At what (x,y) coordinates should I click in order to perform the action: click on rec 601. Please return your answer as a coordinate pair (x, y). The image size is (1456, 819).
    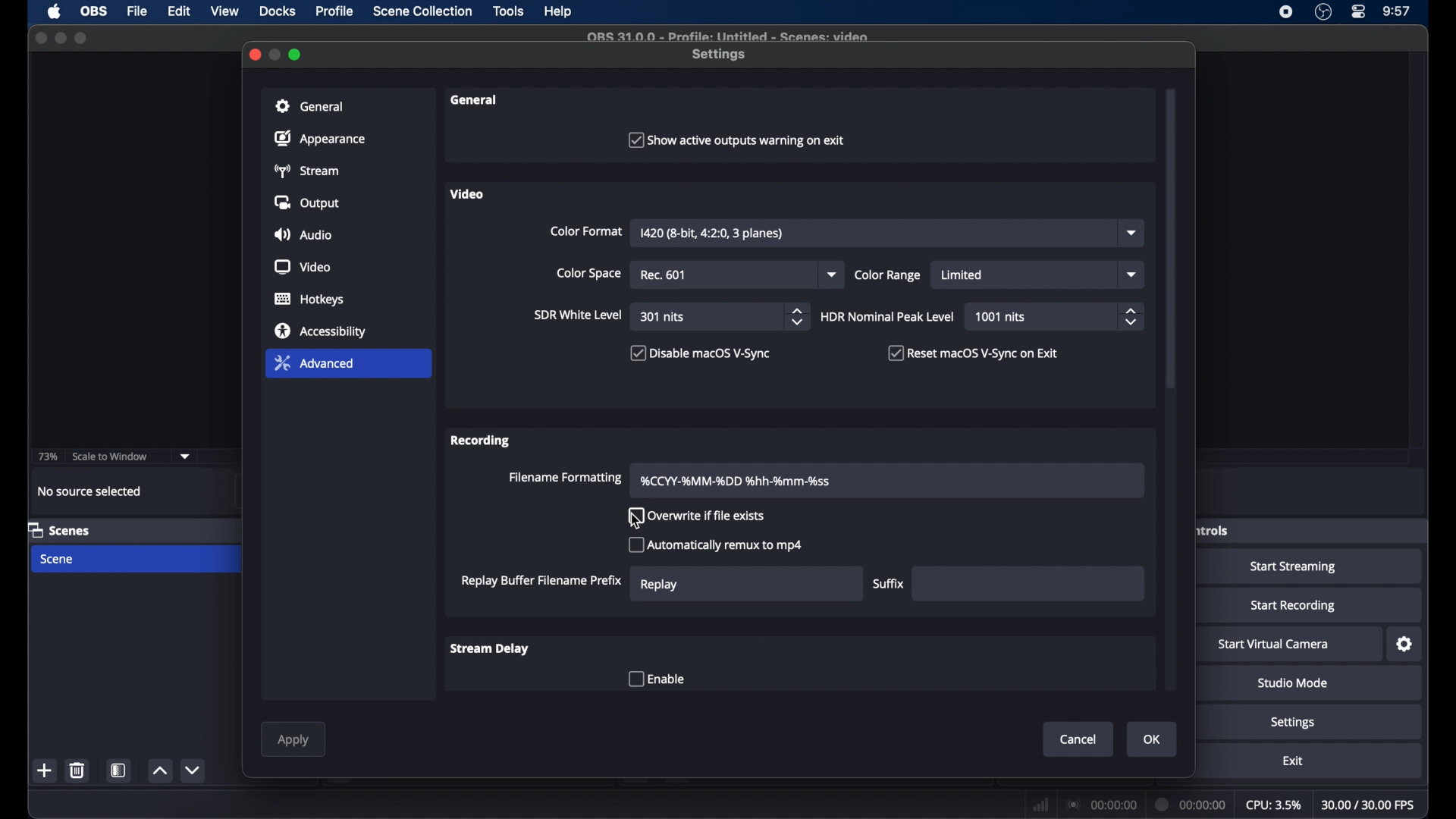
    Looking at the image, I should click on (665, 275).